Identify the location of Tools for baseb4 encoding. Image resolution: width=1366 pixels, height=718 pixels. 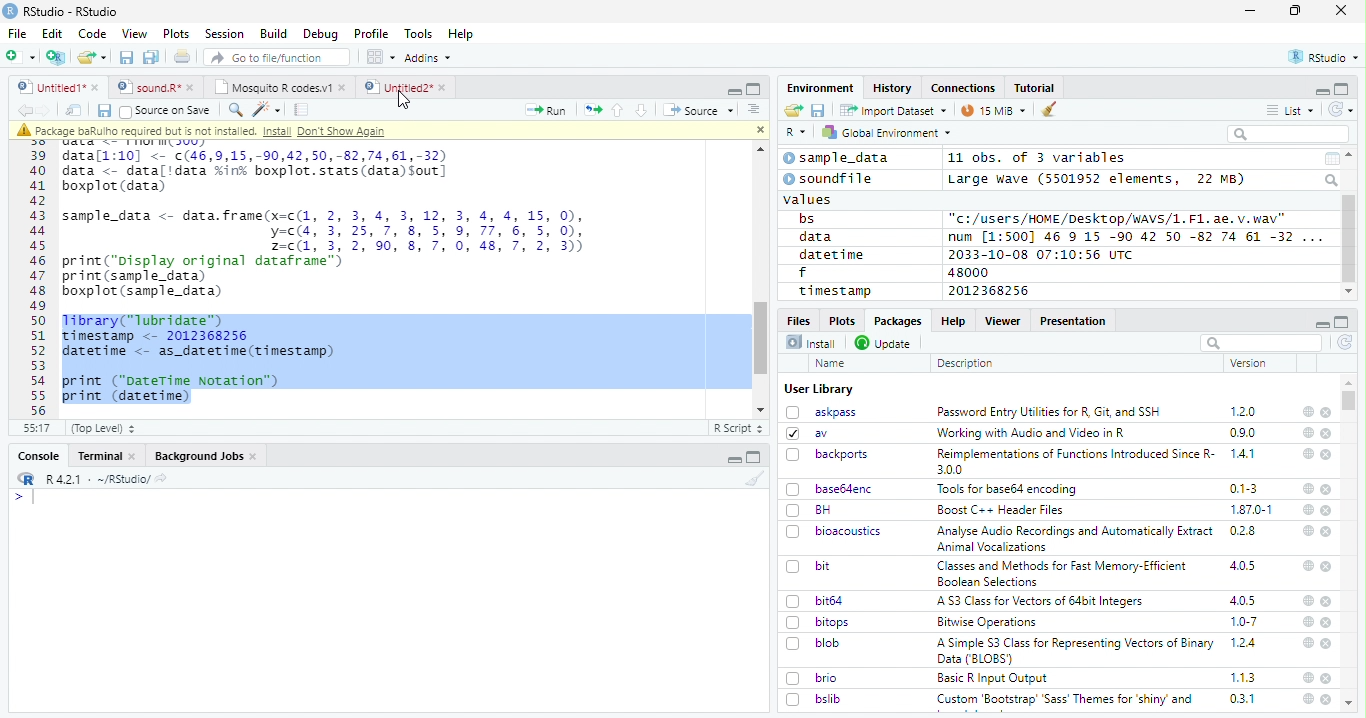
(1009, 489).